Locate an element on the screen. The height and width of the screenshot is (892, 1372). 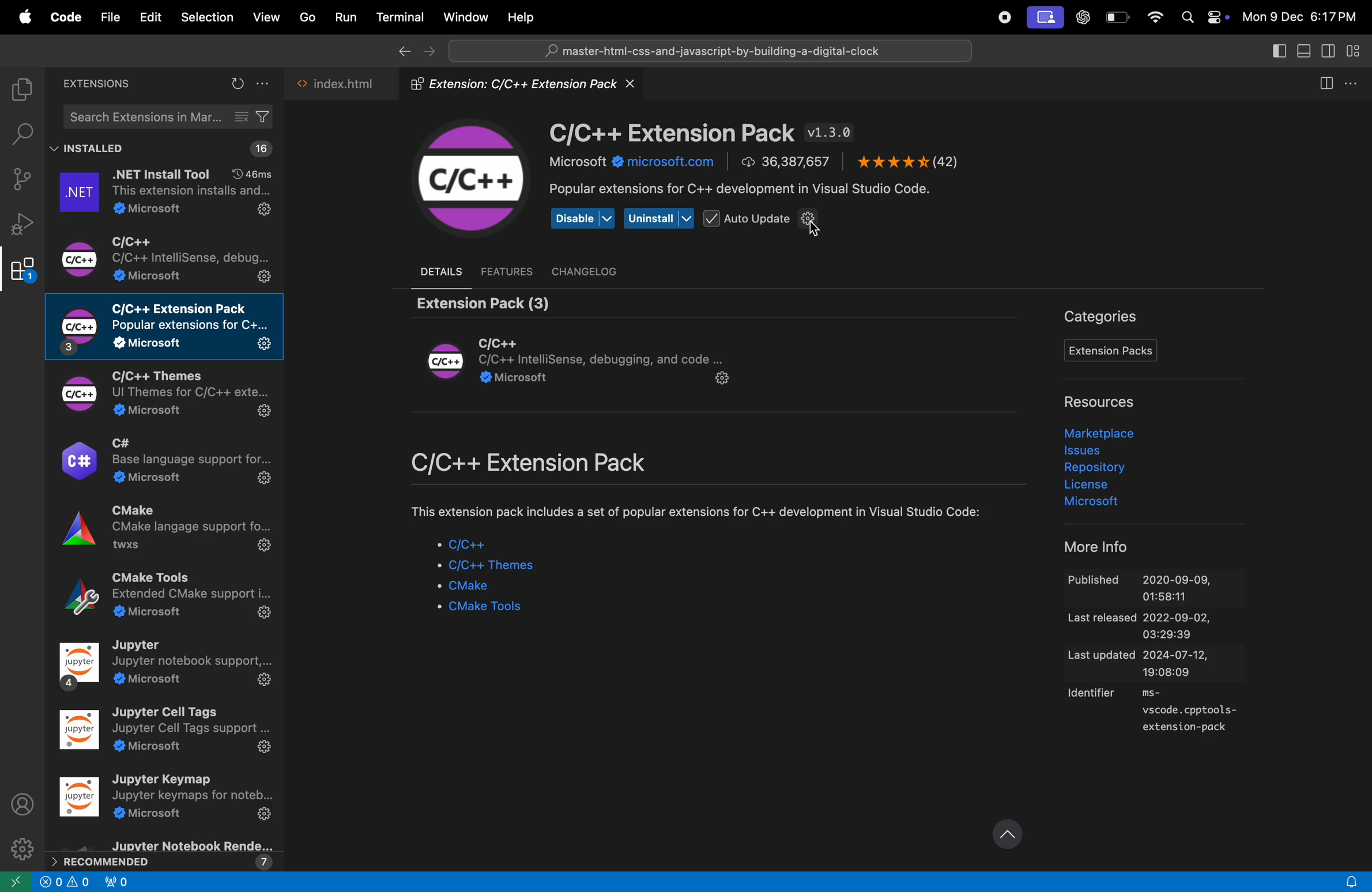
record is located at coordinates (998, 17).